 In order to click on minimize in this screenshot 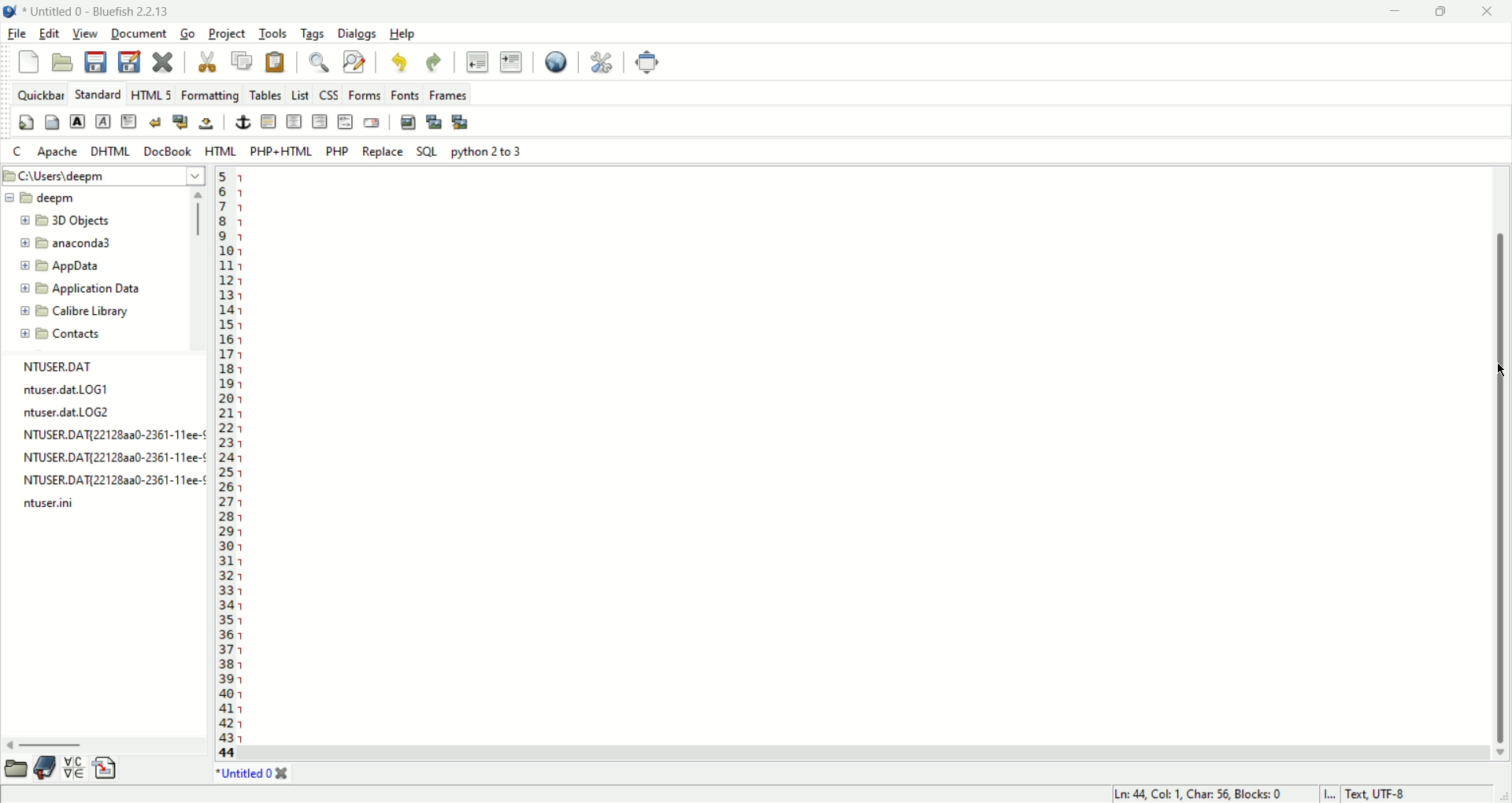, I will do `click(1399, 11)`.